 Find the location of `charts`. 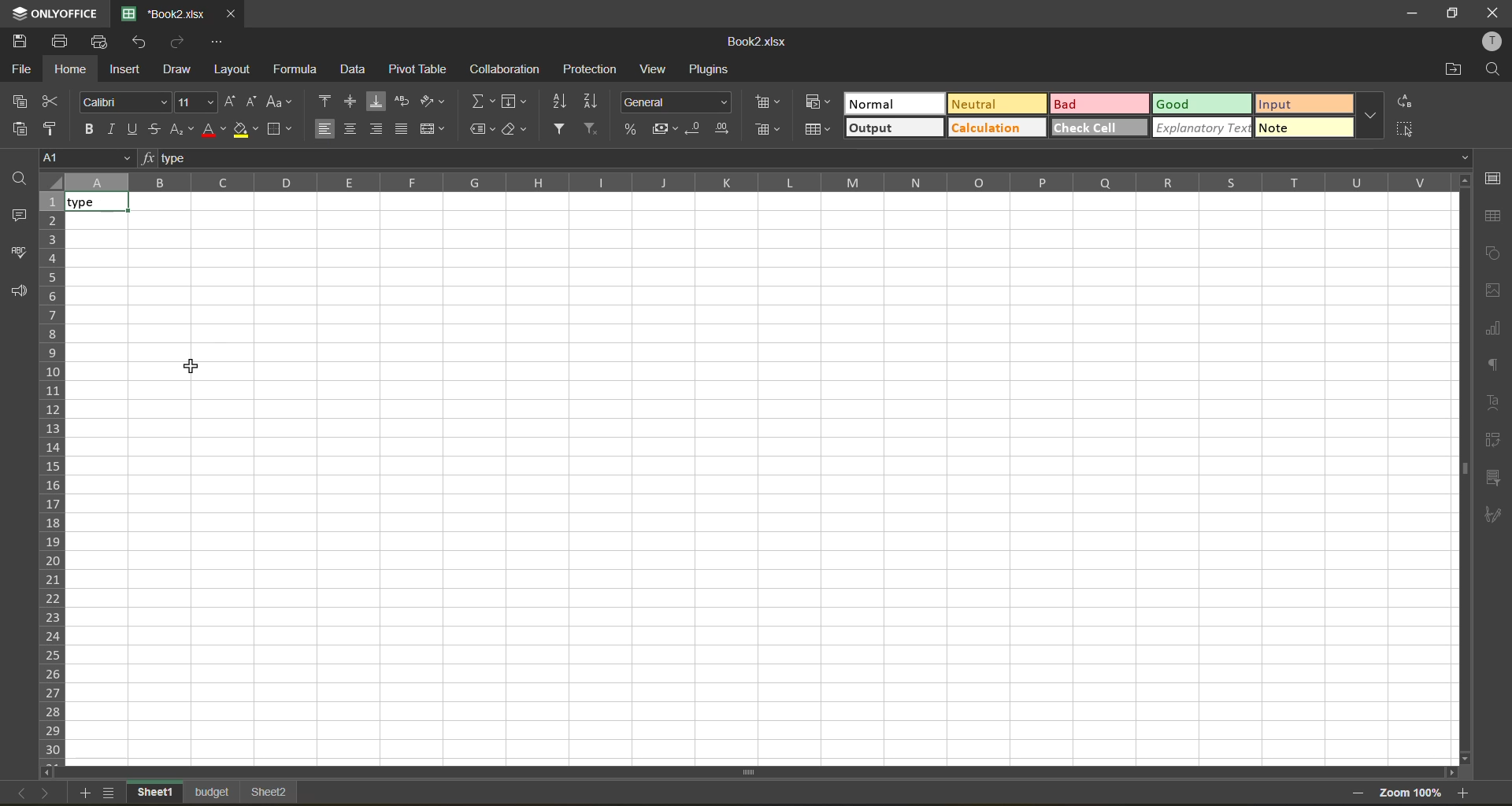

charts is located at coordinates (1494, 331).